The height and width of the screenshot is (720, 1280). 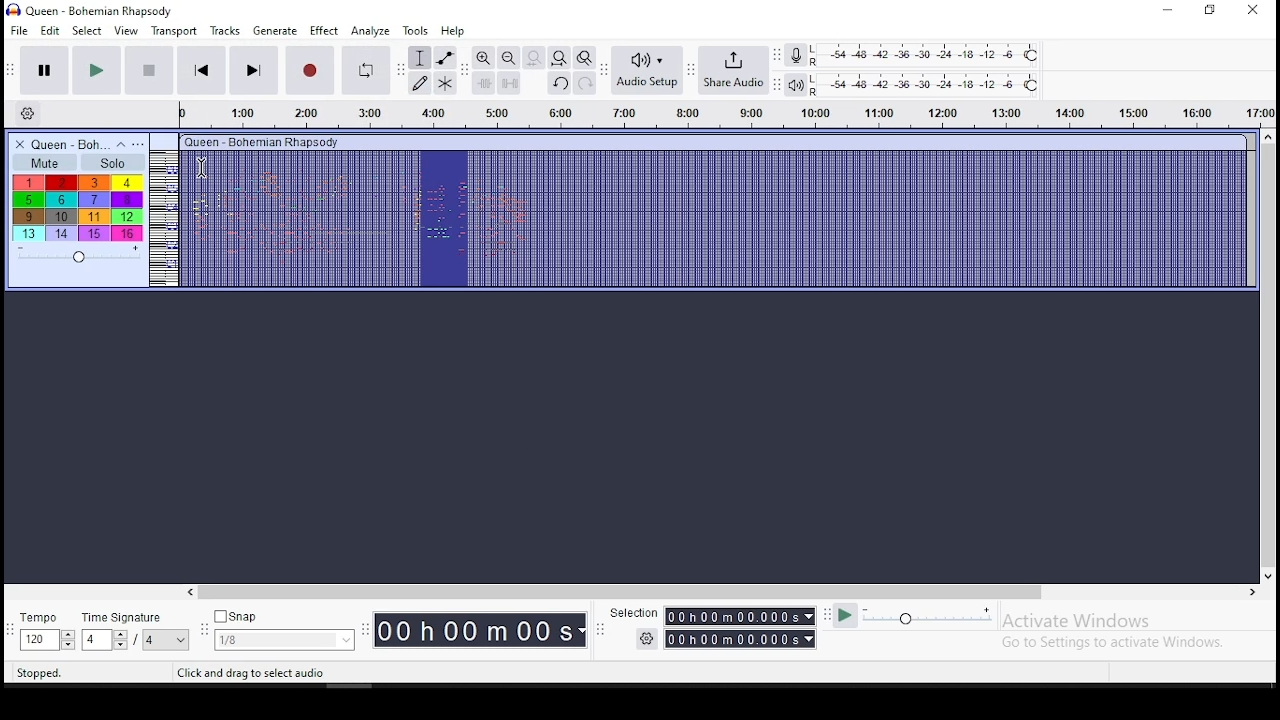 What do you see at coordinates (364, 68) in the screenshot?
I see `enable looping` at bounding box center [364, 68].